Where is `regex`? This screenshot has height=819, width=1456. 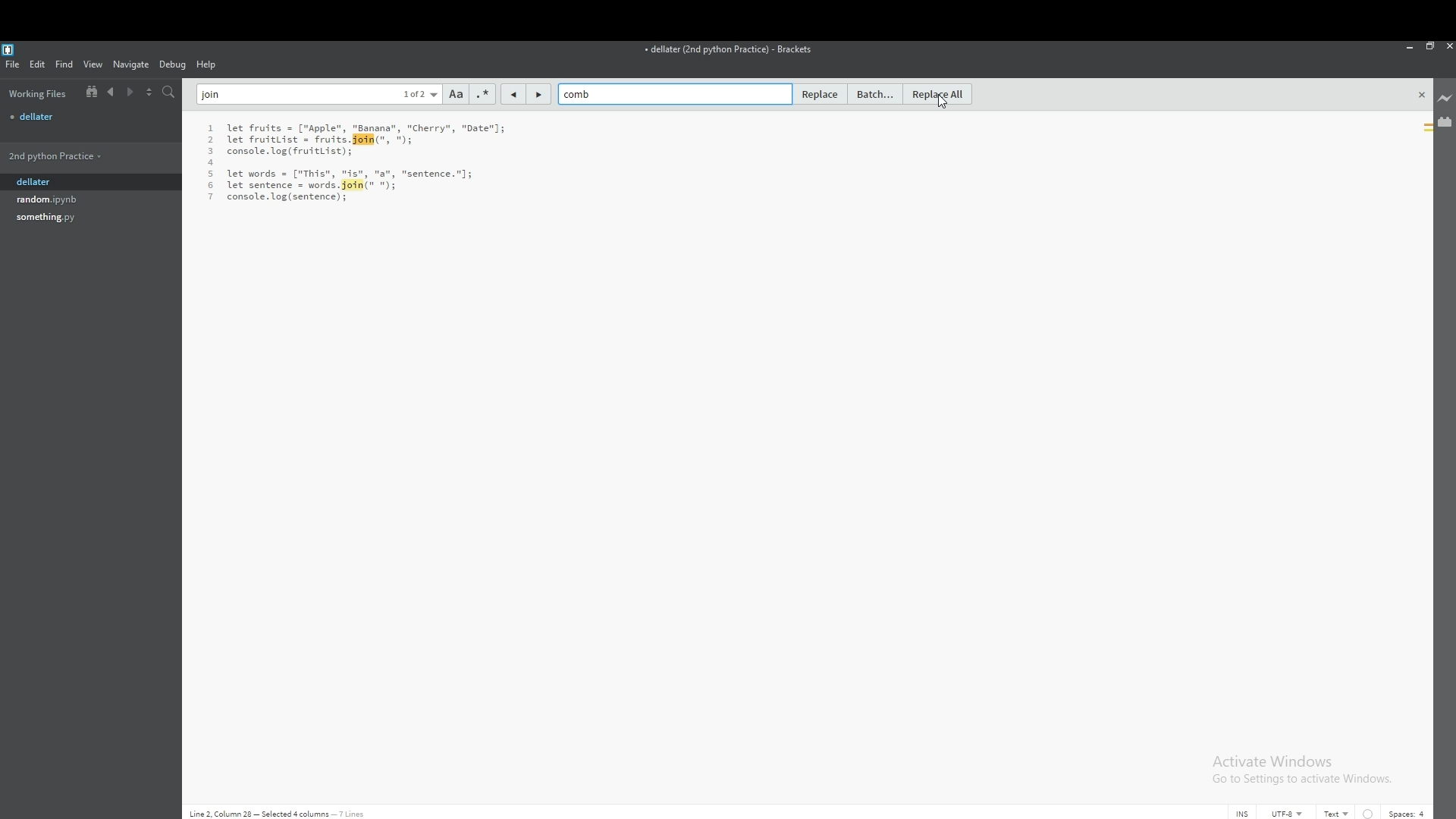 regex is located at coordinates (482, 94).